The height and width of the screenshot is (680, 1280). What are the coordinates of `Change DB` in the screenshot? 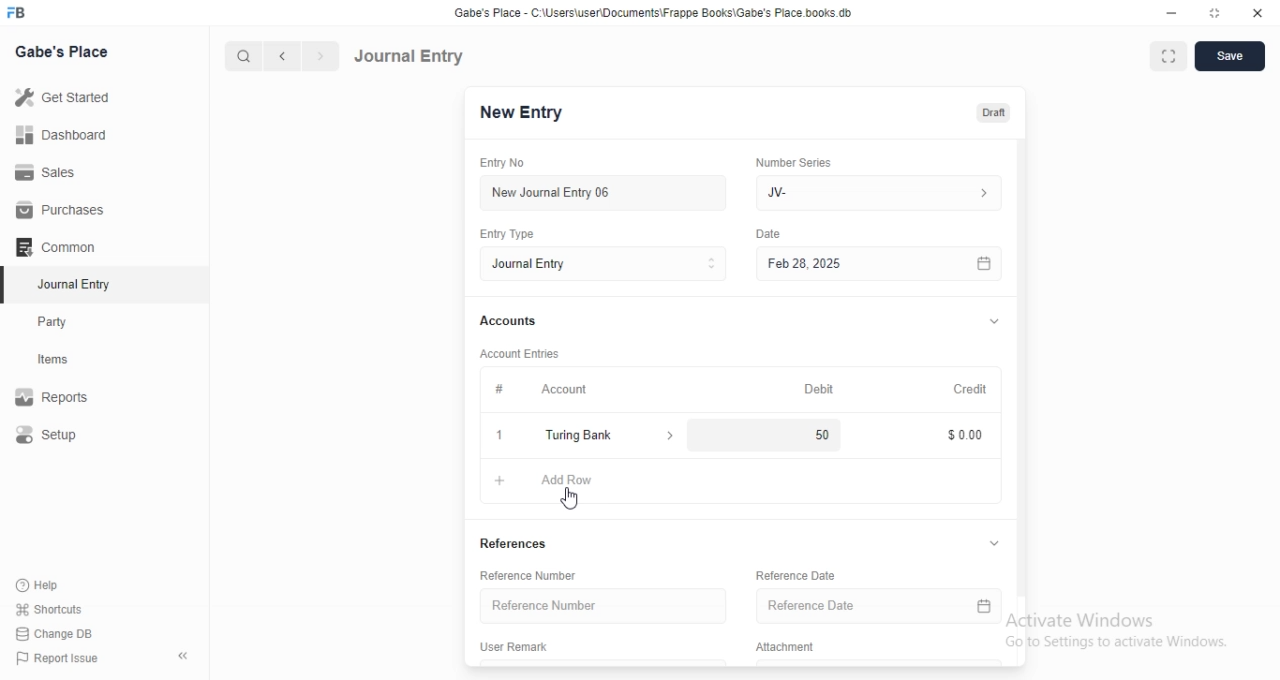 It's located at (60, 633).